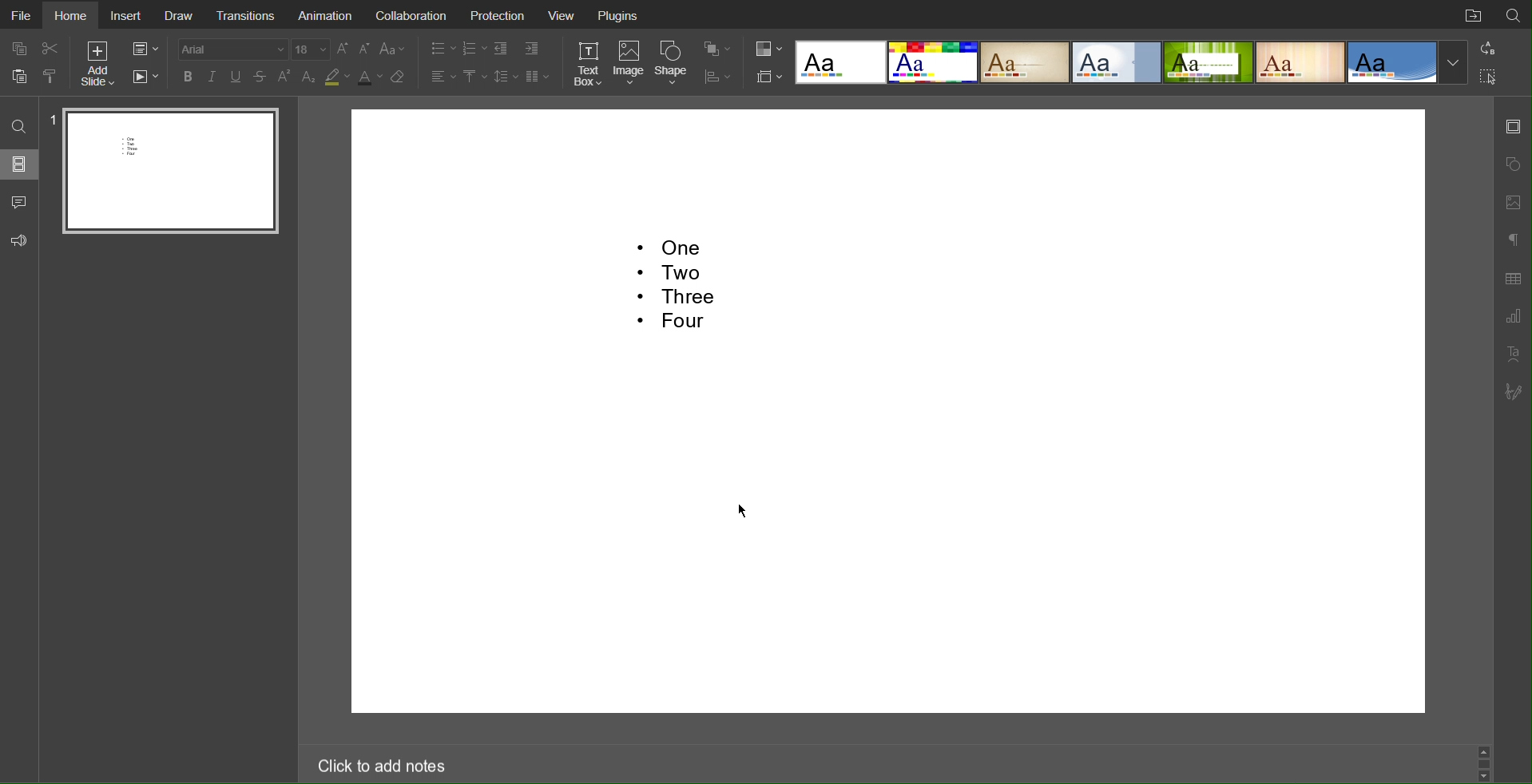 This screenshot has height=784, width=1532. What do you see at coordinates (237, 77) in the screenshot?
I see `Underline` at bounding box center [237, 77].